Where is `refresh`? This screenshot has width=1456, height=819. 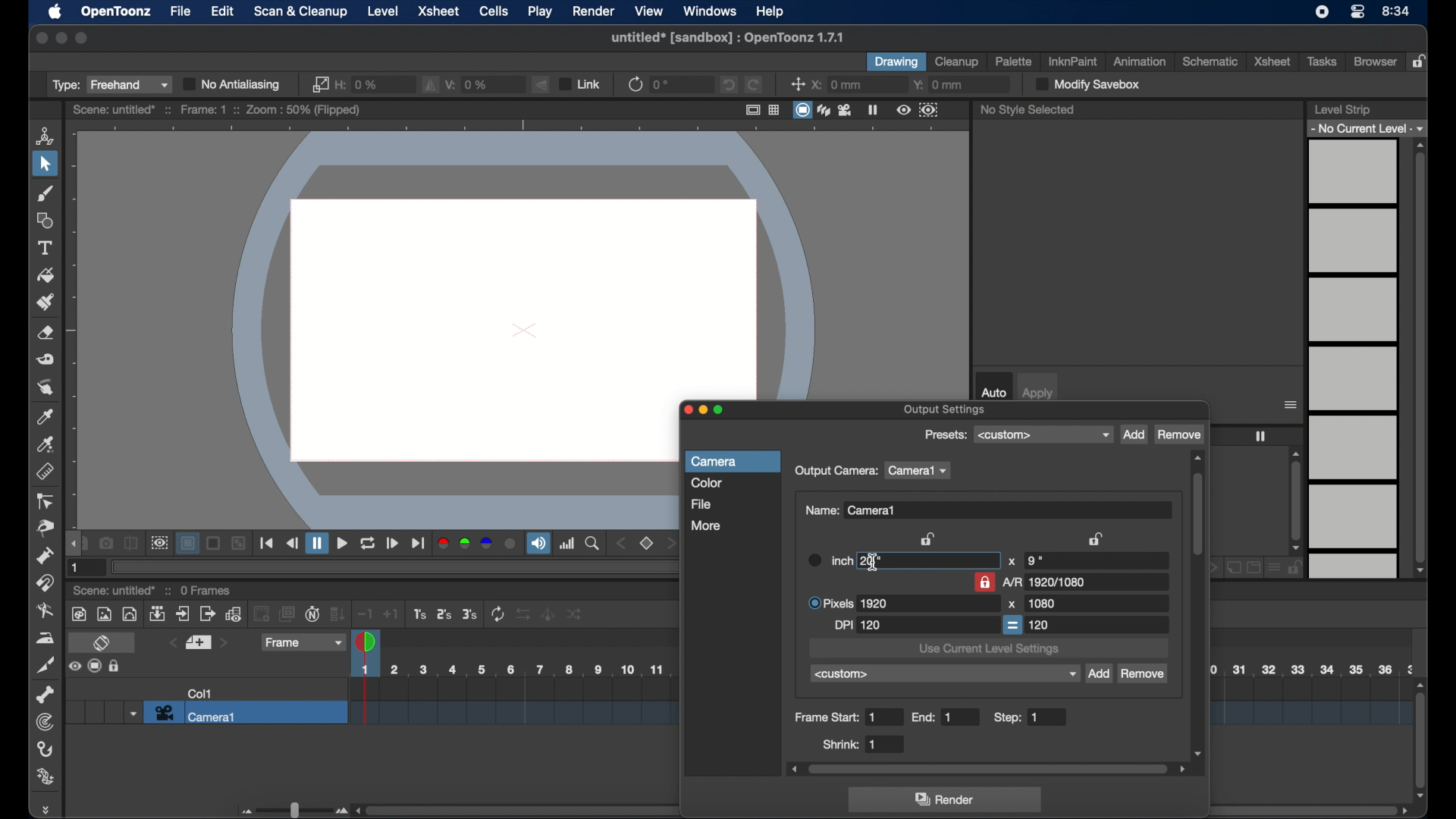
refresh is located at coordinates (634, 83).